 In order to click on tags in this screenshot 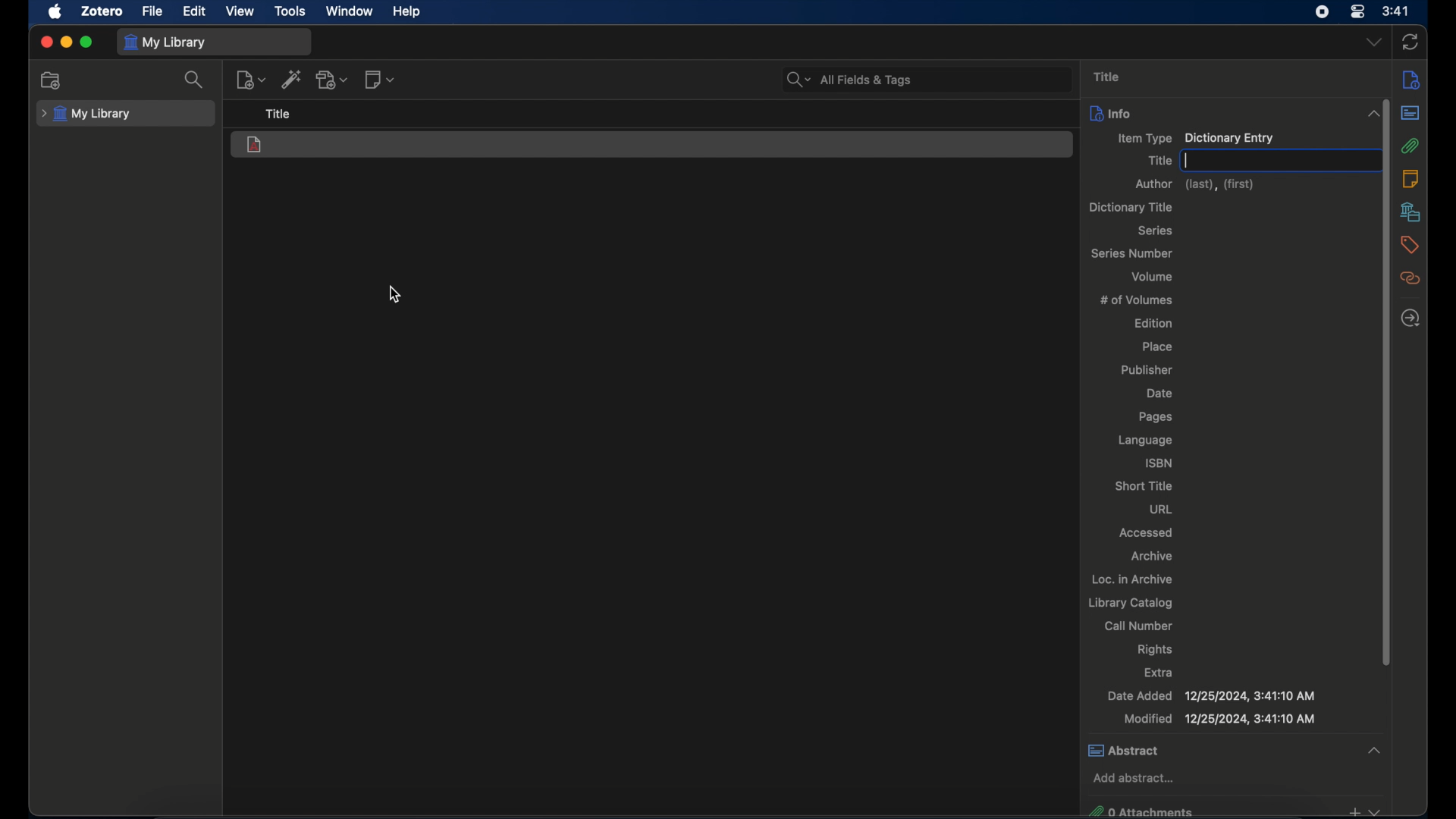, I will do `click(1410, 245)`.